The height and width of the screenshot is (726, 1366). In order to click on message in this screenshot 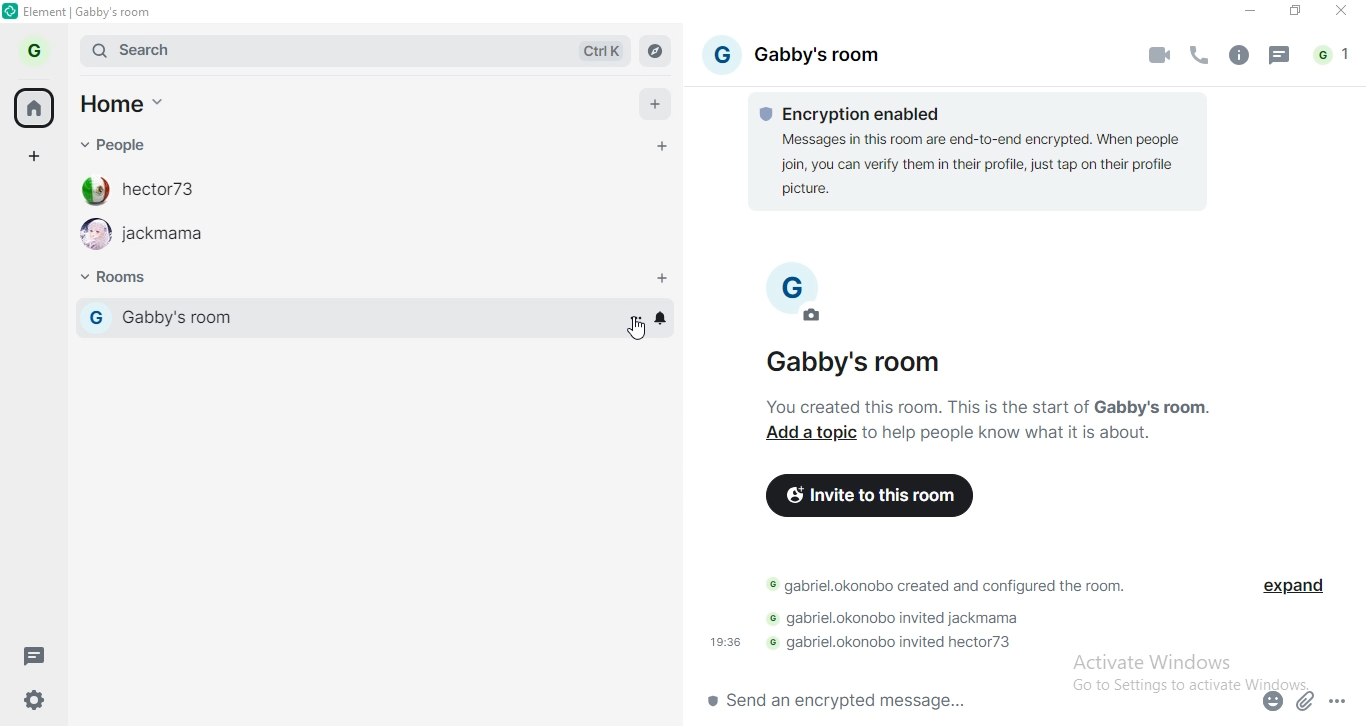, I will do `click(34, 659)`.